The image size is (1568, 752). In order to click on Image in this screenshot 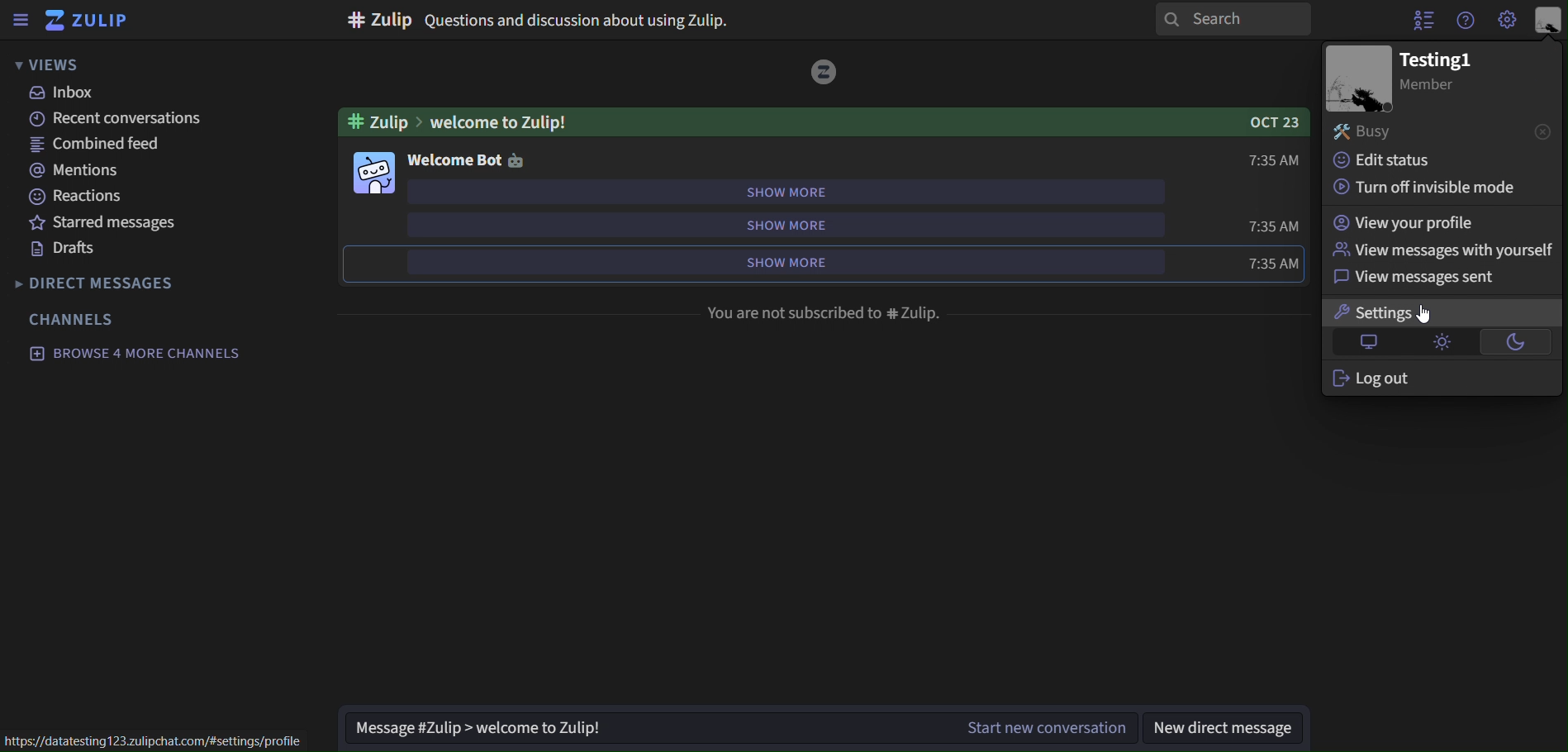, I will do `click(518, 159)`.